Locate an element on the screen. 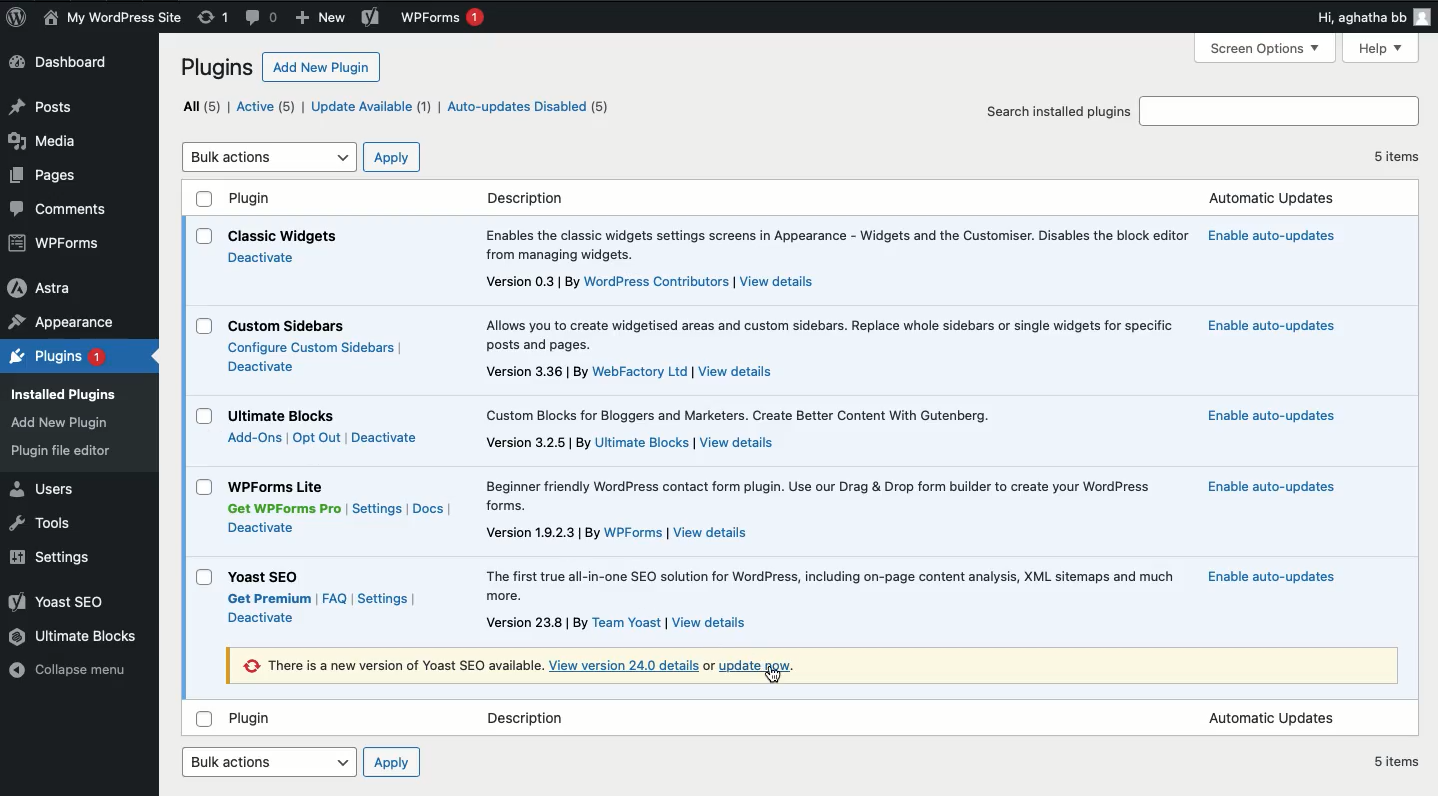 This screenshot has height=796, width=1438. Search plugins is located at coordinates (1058, 110).